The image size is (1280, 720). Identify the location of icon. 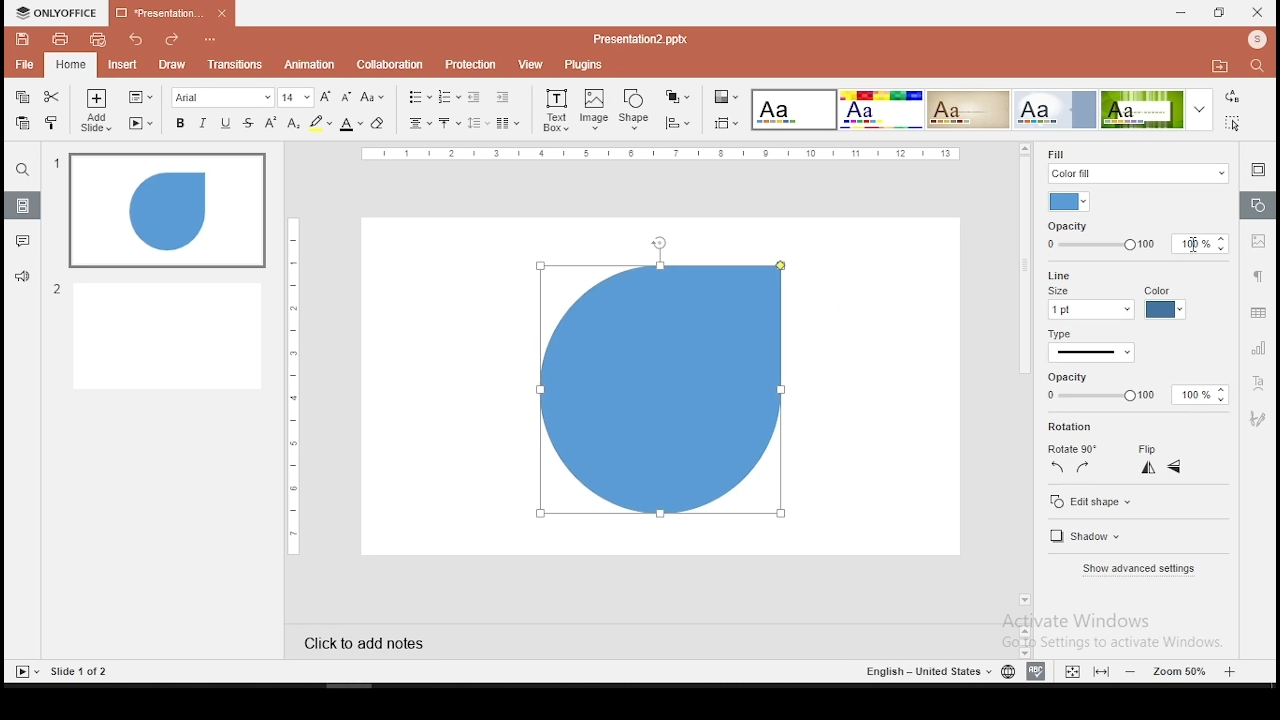
(60, 12).